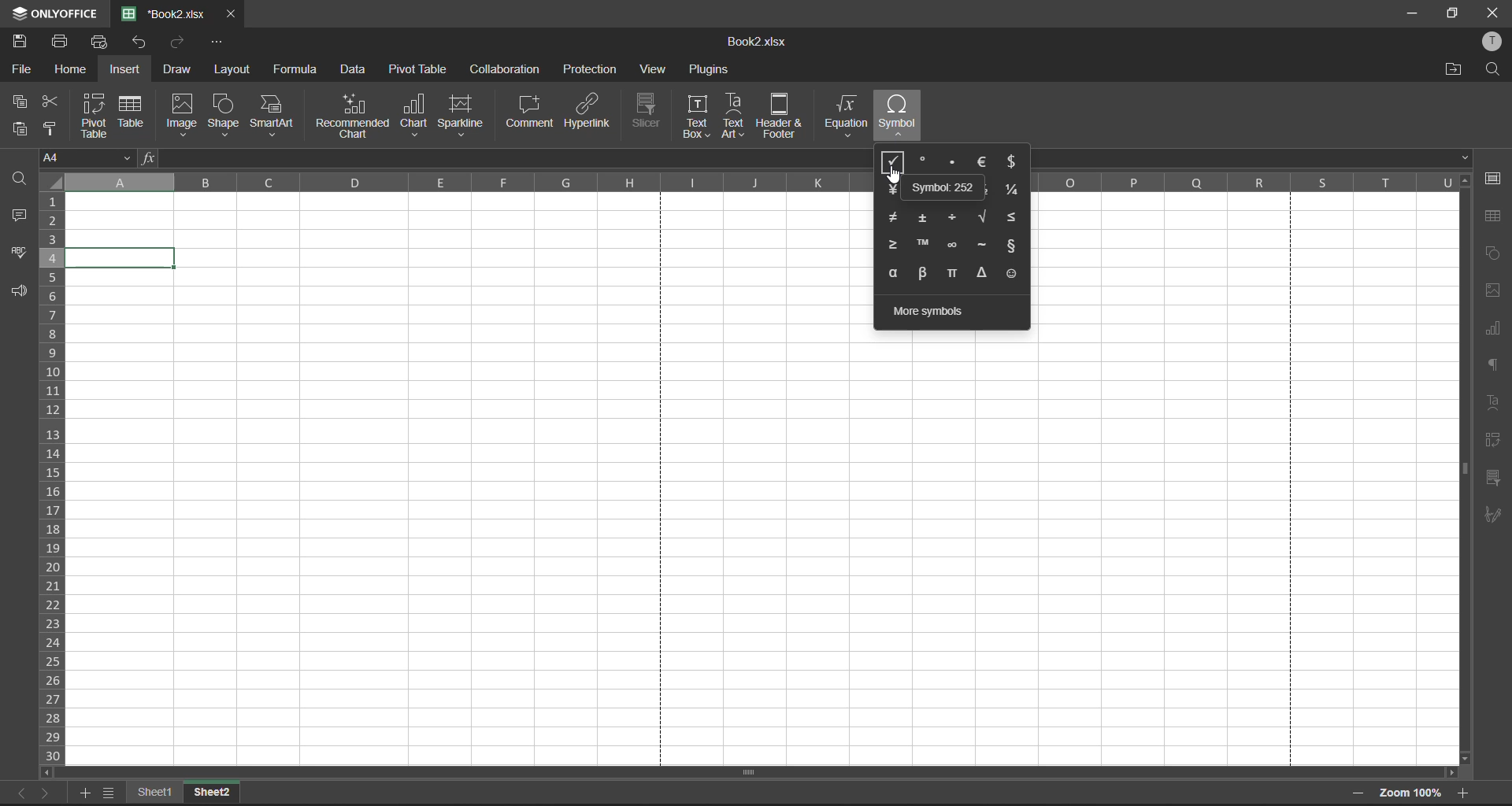  What do you see at coordinates (954, 273) in the screenshot?
I see `pi` at bounding box center [954, 273].